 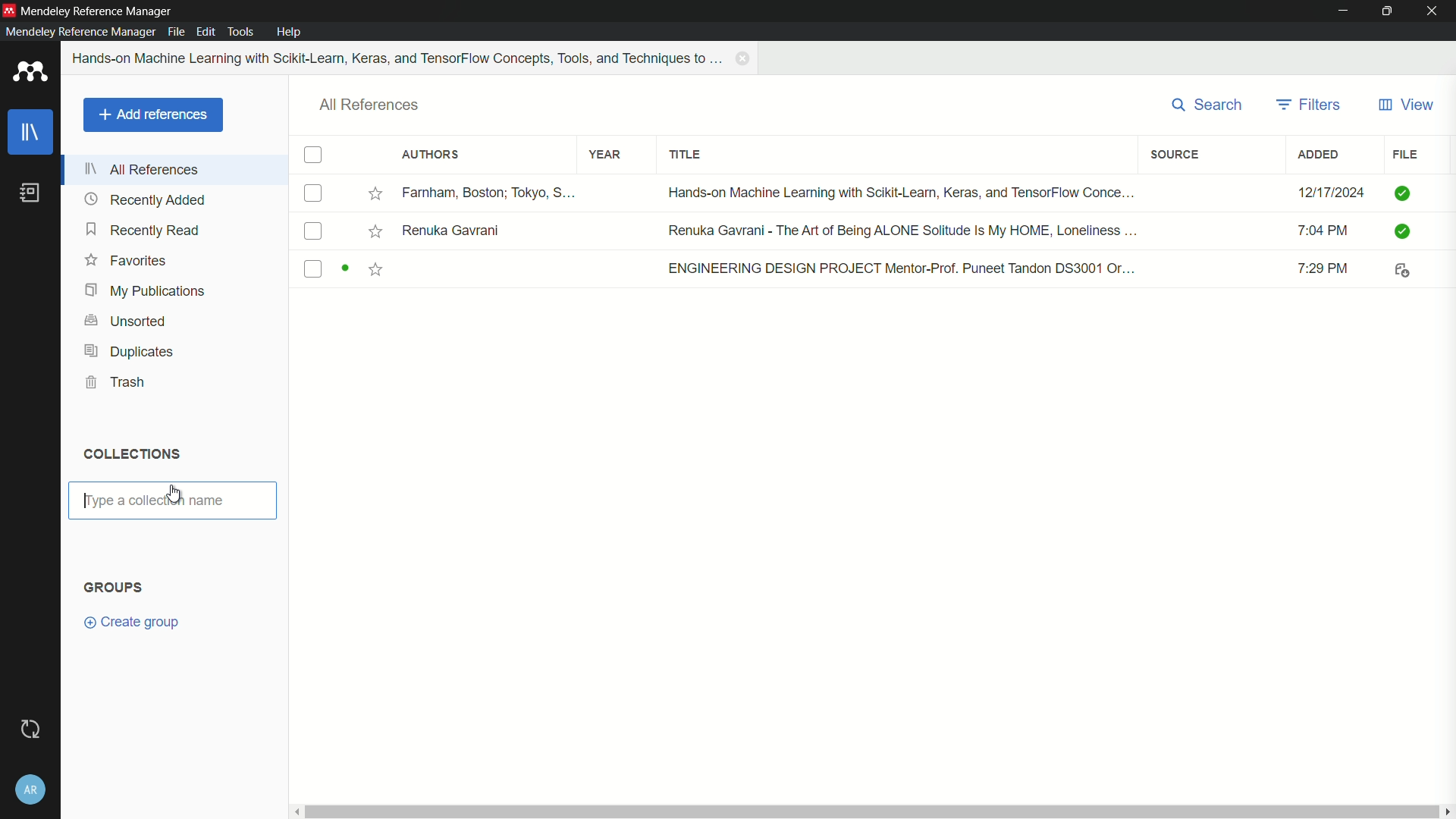 I want to click on recently read, so click(x=145, y=229).